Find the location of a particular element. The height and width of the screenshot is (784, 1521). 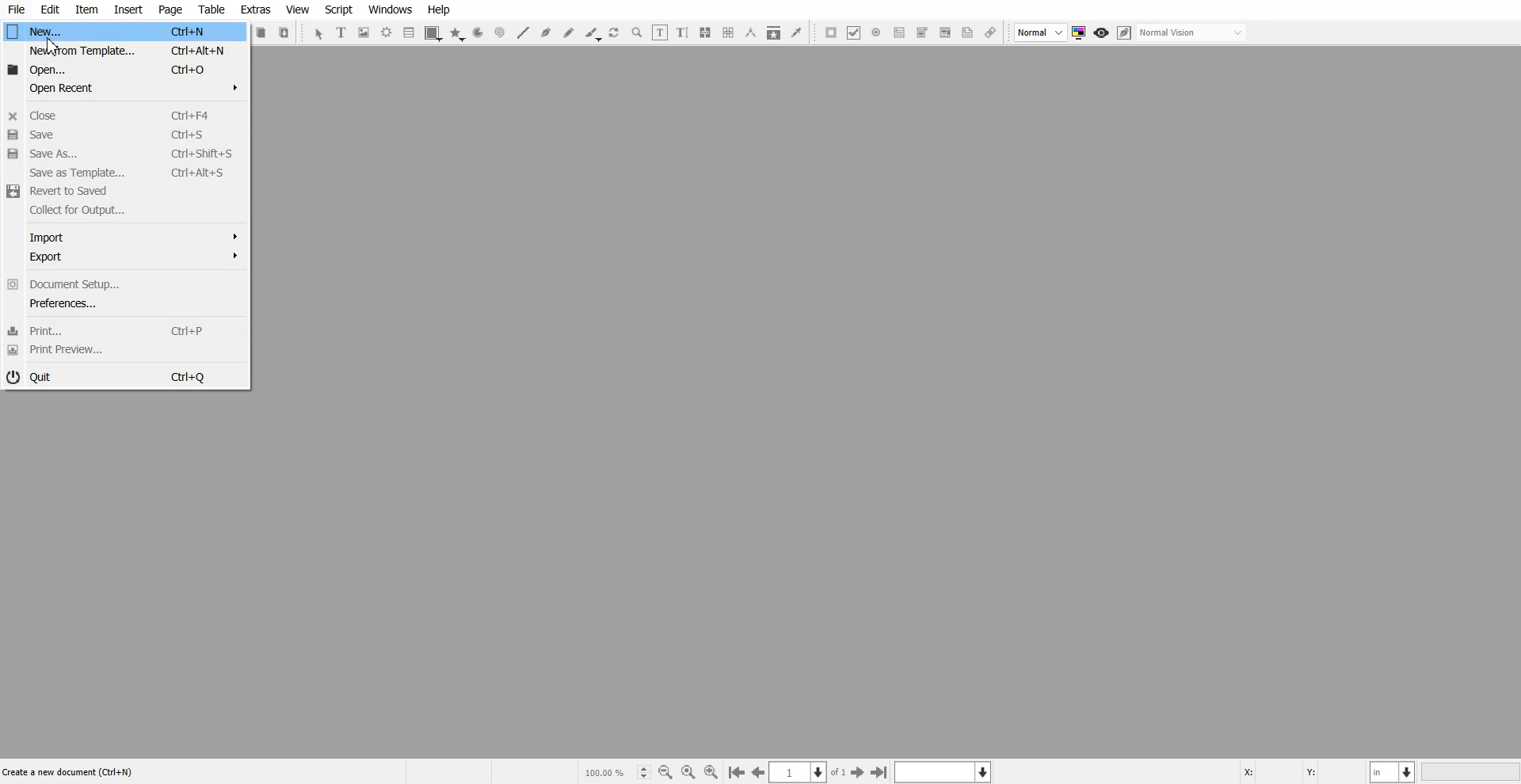

Open Recent is located at coordinates (124, 87).